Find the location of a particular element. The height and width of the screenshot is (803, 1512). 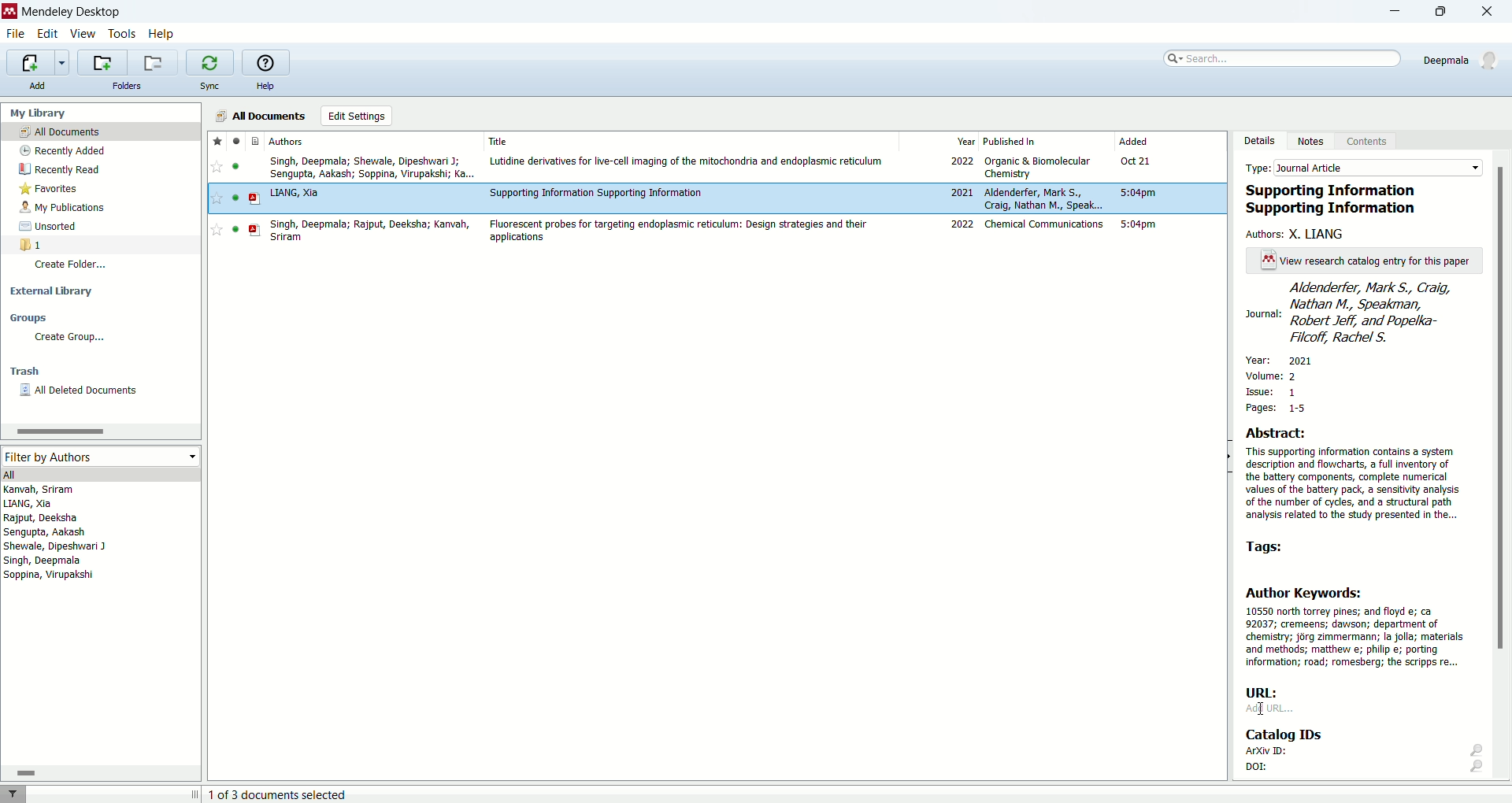

external library is located at coordinates (51, 293).